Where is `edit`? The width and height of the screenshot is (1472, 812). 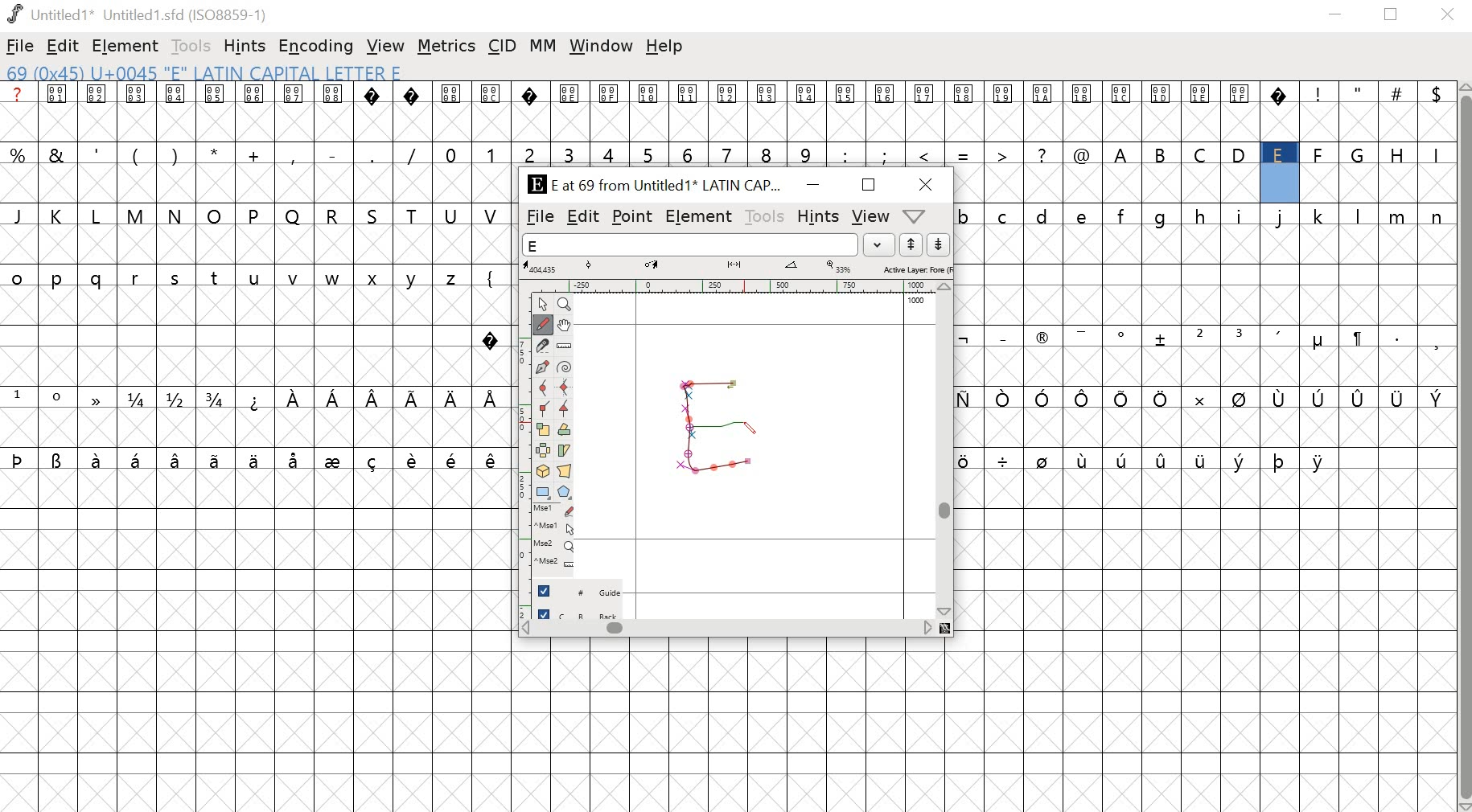
edit is located at coordinates (64, 46).